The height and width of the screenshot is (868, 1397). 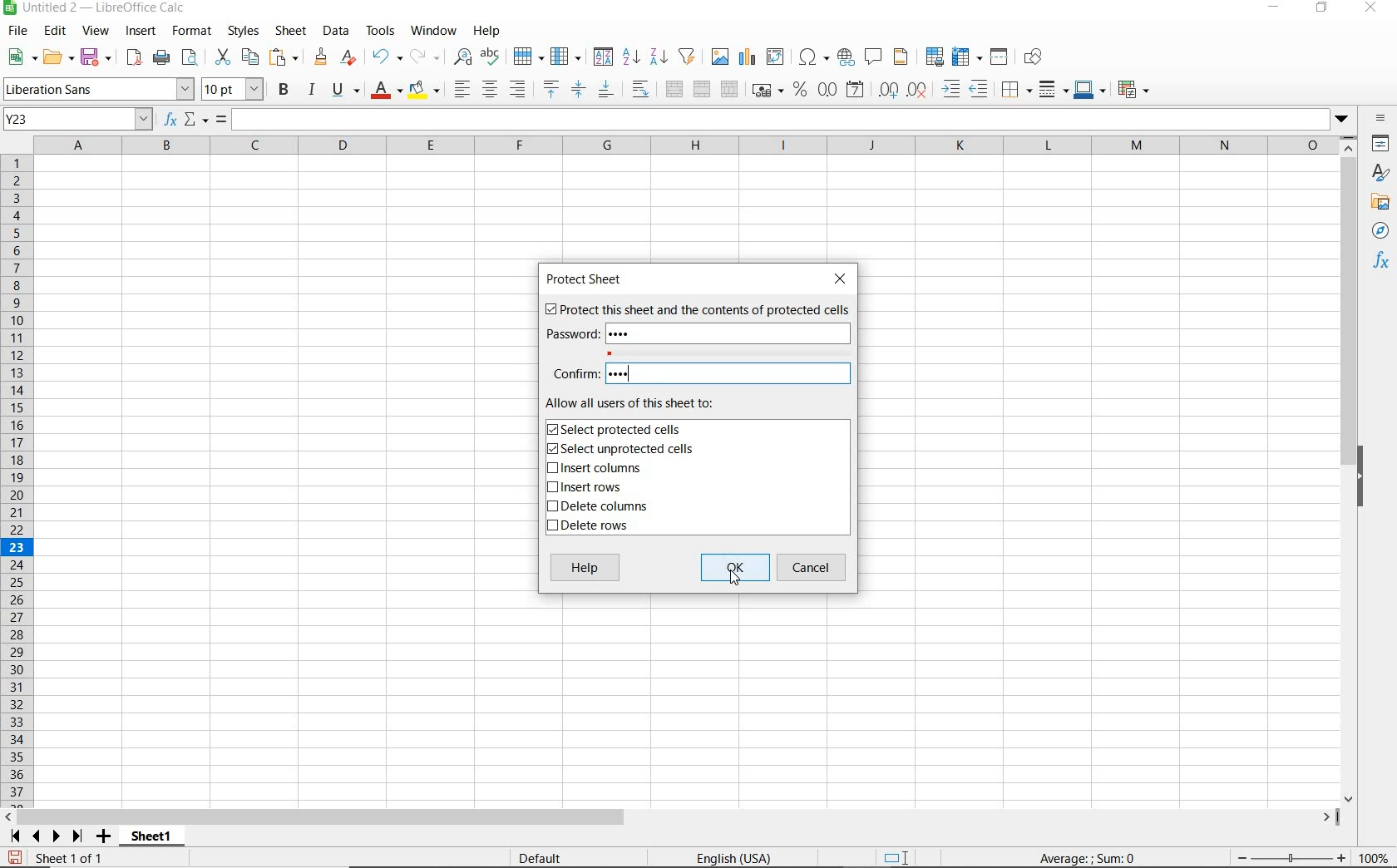 I want to click on EDIT, so click(x=55, y=31).